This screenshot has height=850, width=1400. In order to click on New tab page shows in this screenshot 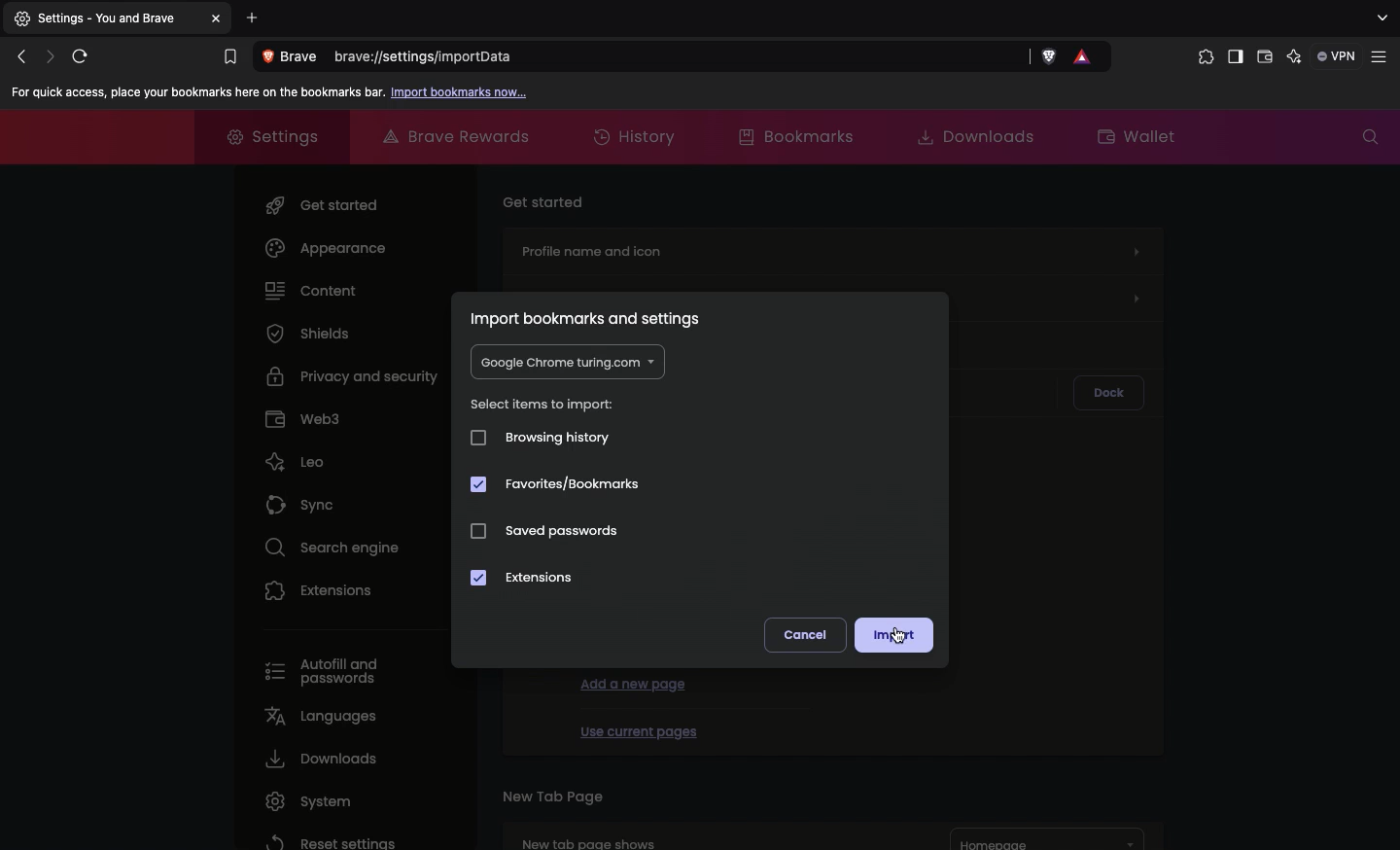, I will do `click(700, 834)`.